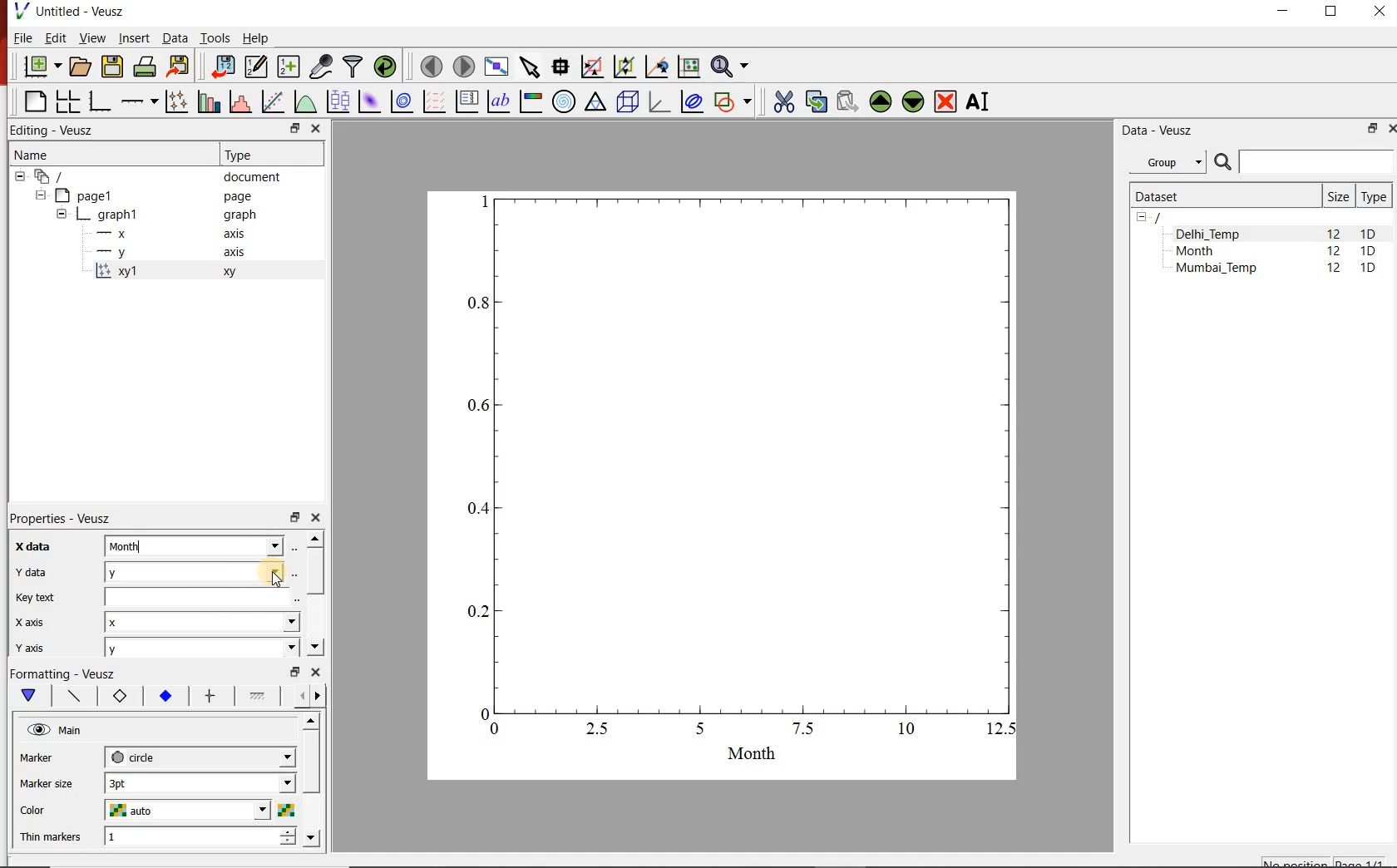  Describe the element at coordinates (431, 66) in the screenshot. I see `move to the previous page` at that location.